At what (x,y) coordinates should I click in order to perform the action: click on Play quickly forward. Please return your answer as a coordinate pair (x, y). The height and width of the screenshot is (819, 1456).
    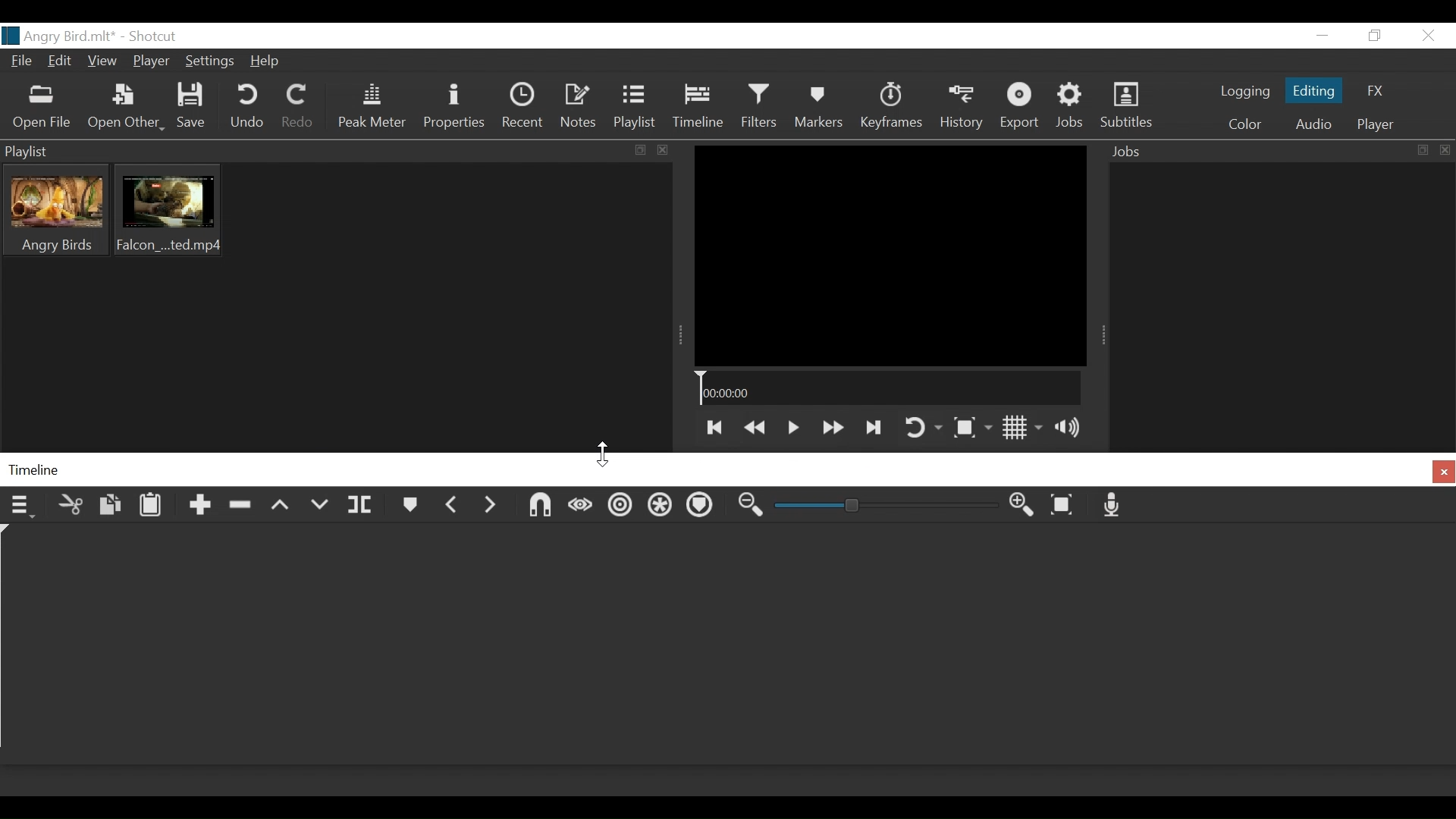
    Looking at the image, I should click on (830, 428).